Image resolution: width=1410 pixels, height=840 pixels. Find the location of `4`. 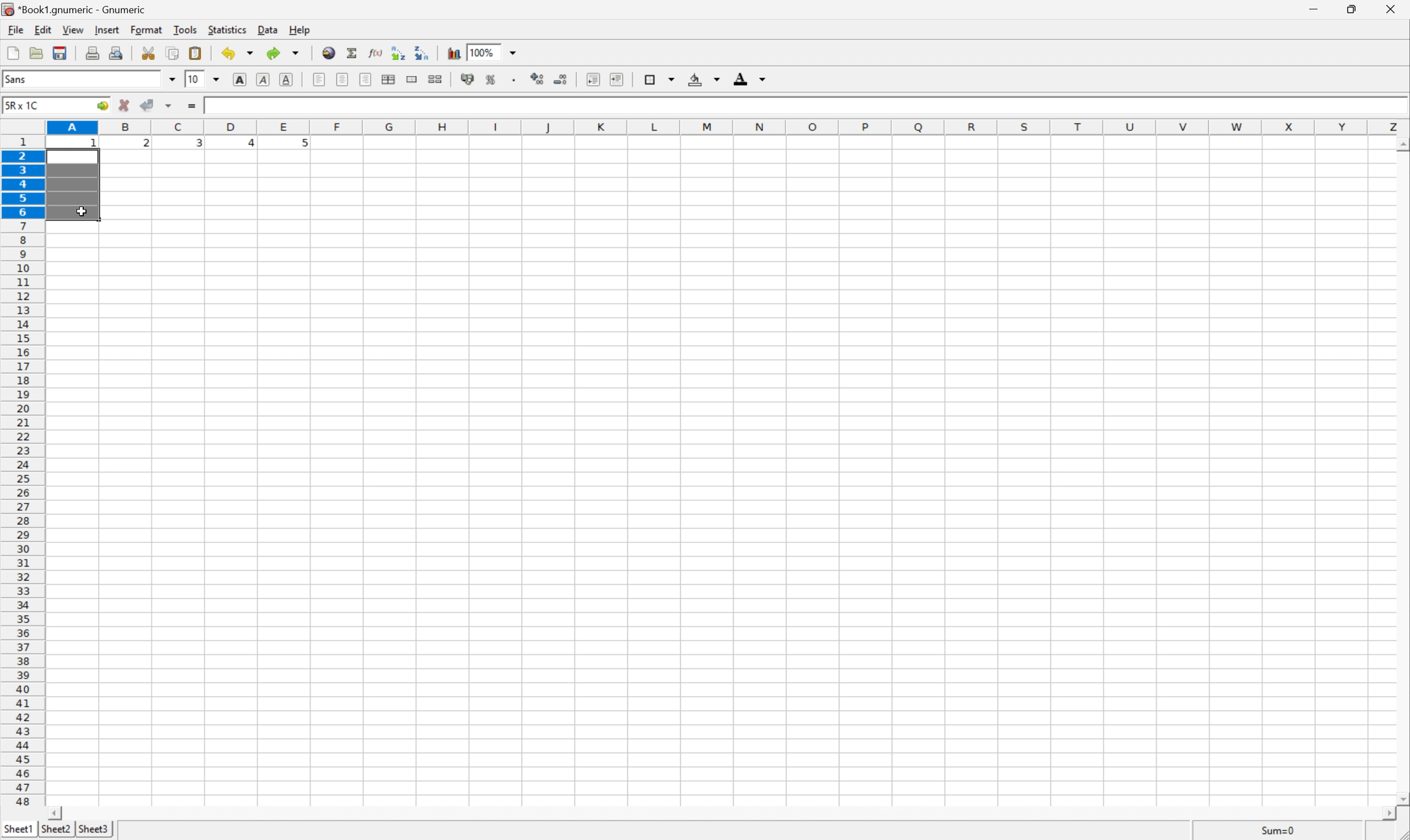

4 is located at coordinates (246, 144).